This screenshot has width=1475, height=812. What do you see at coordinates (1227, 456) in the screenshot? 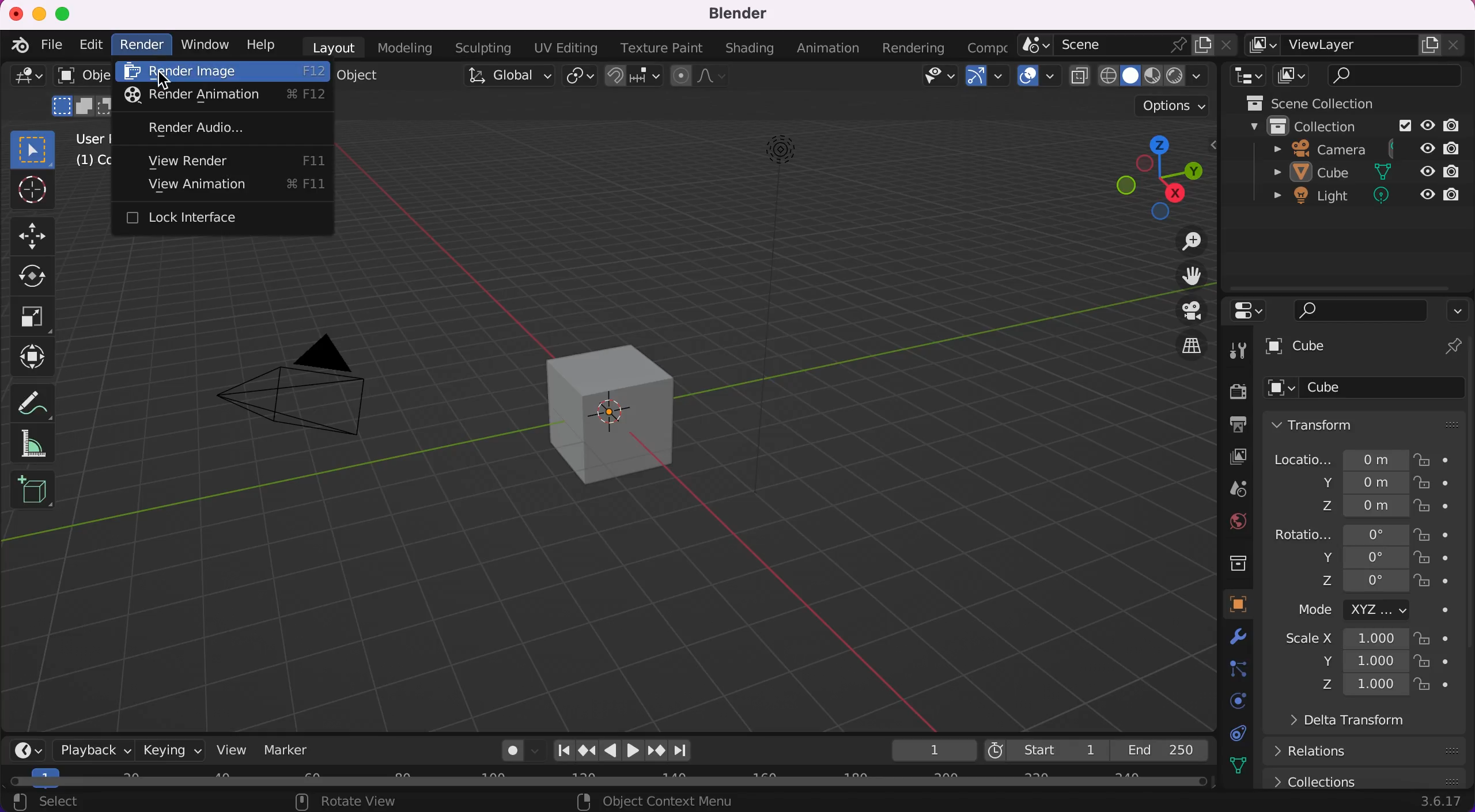
I see `layer` at bounding box center [1227, 456].